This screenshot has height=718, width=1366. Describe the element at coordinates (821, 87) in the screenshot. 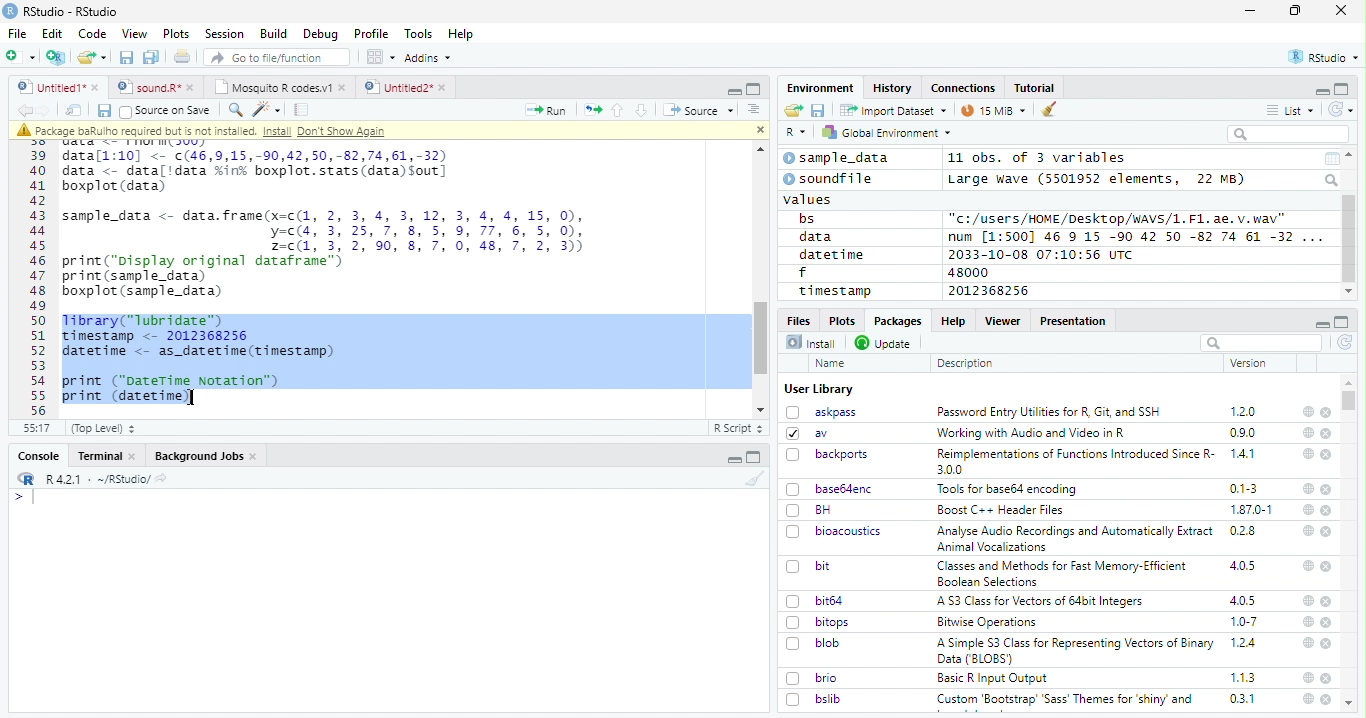

I see `Environment` at that location.